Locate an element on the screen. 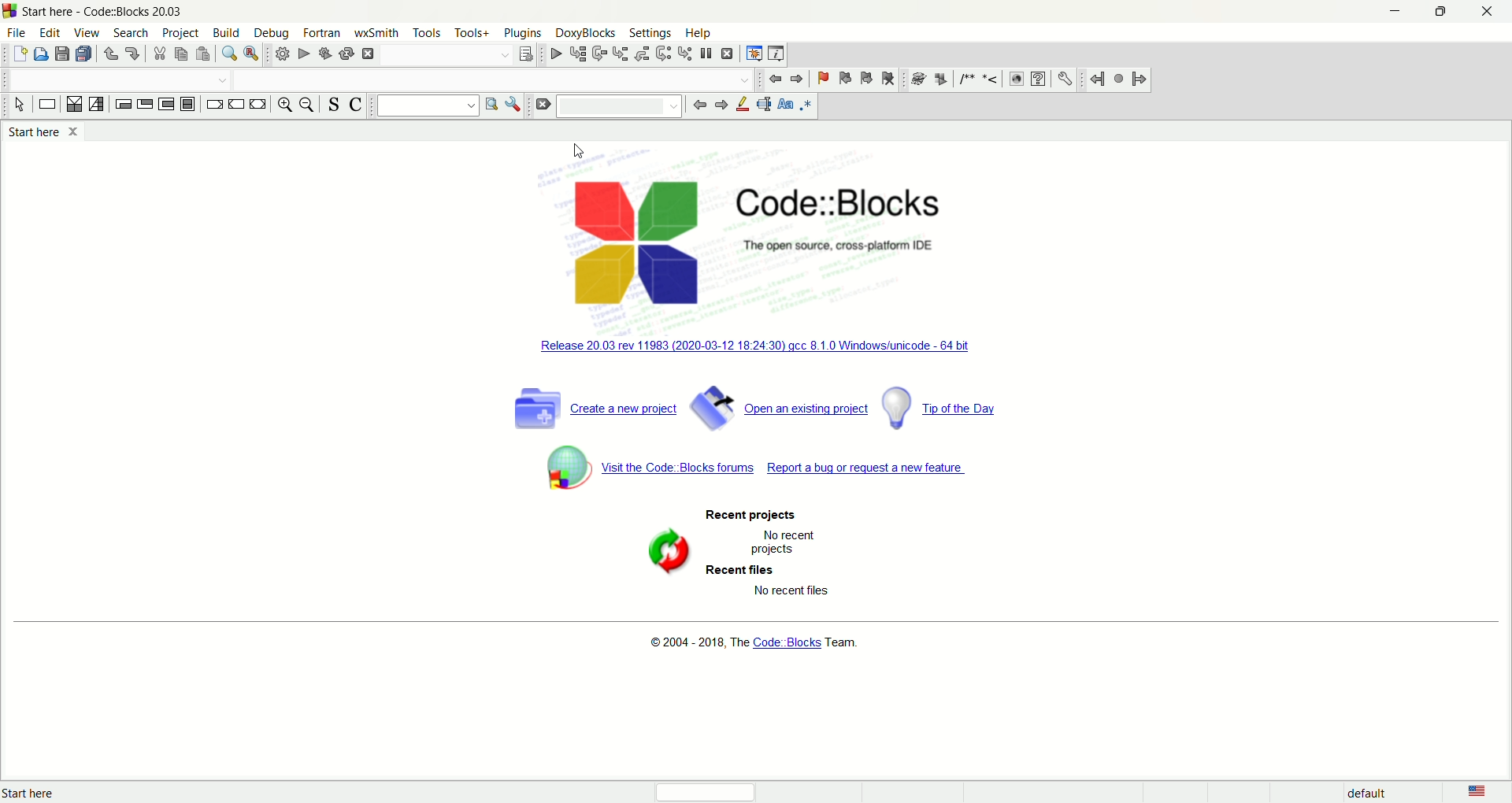  undo is located at coordinates (110, 53).